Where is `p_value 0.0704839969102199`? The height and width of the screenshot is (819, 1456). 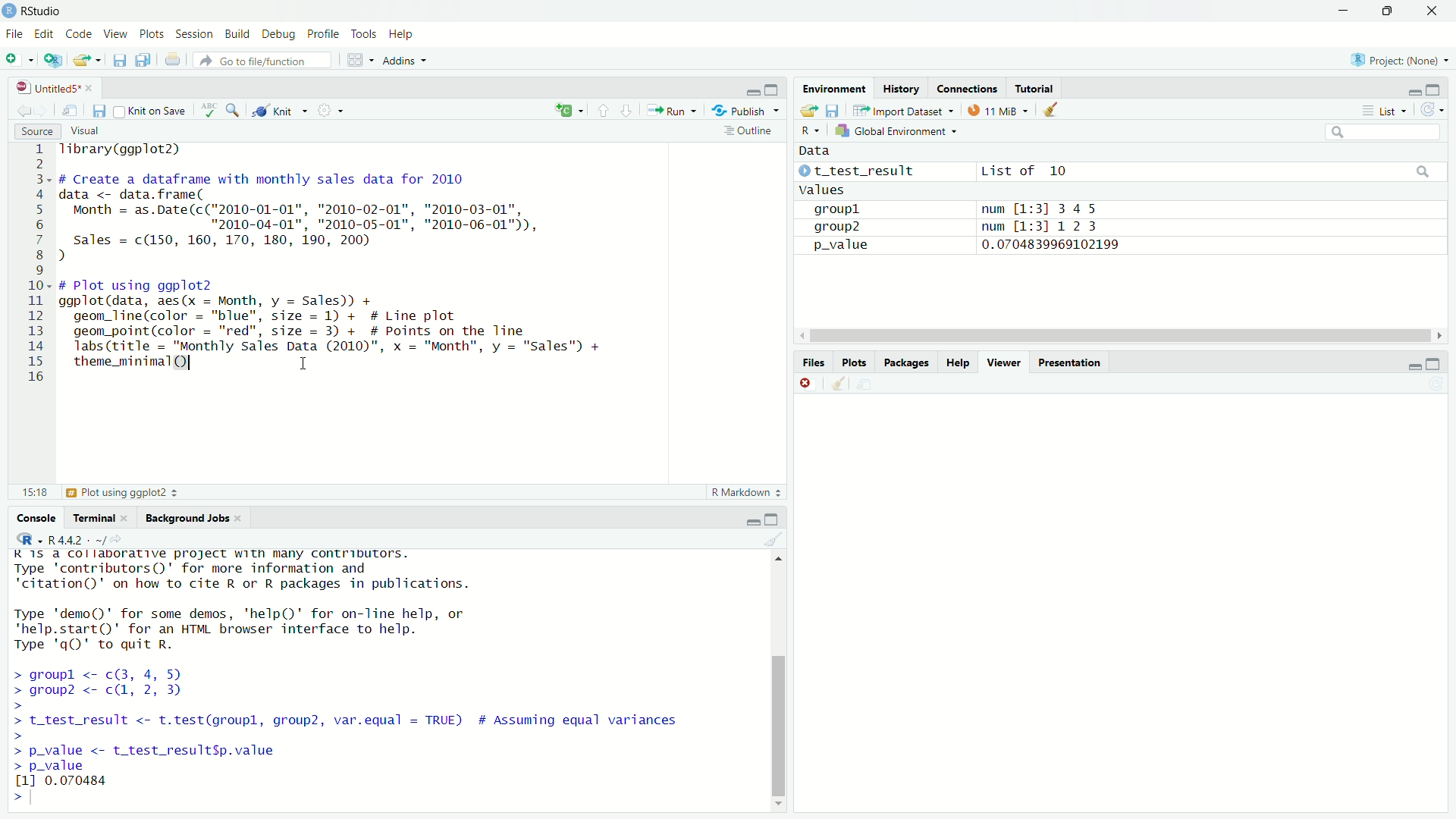 p_value 0.0704839969102199 is located at coordinates (962, 244).